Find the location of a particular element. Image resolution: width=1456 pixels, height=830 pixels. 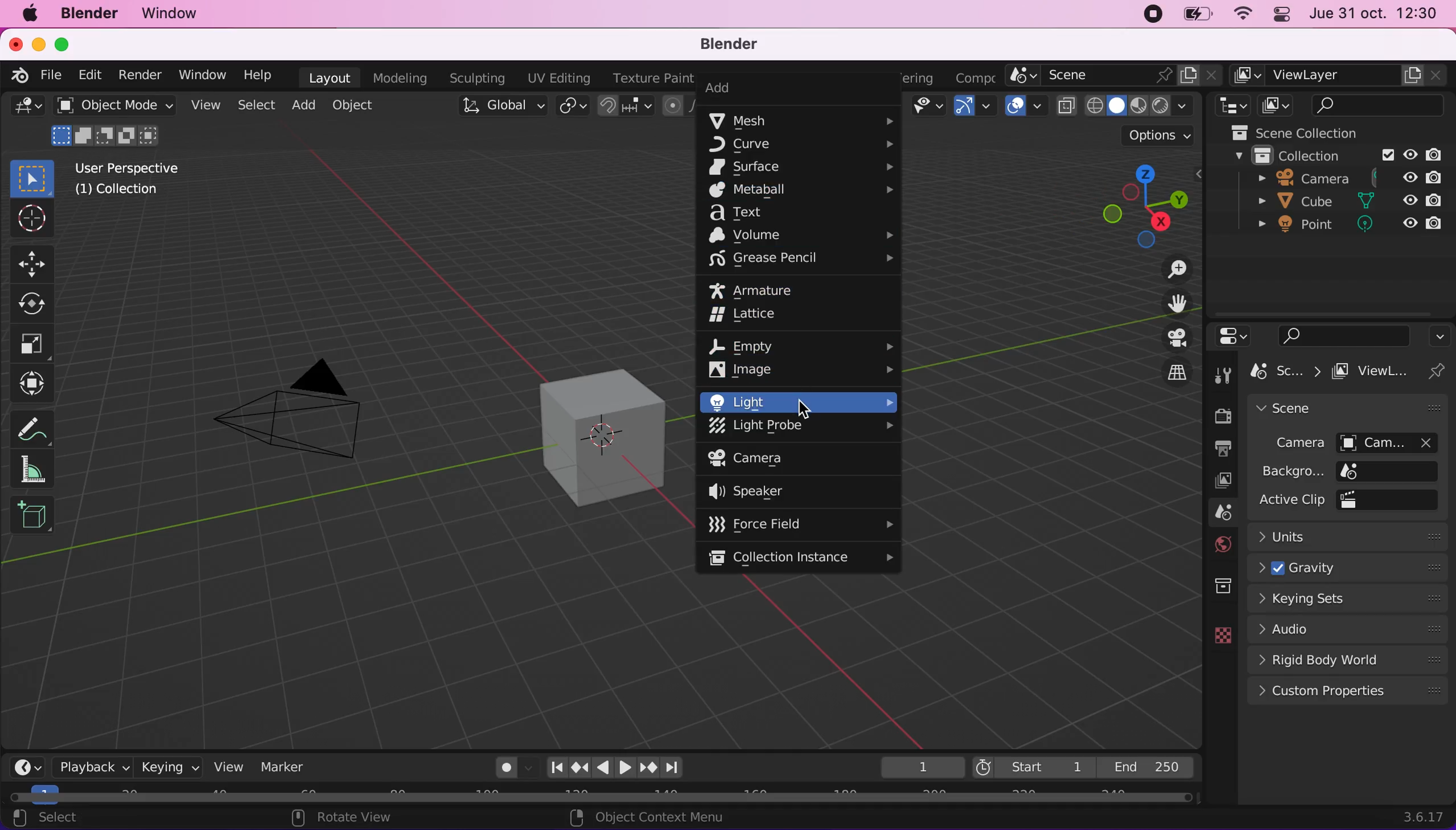

wifi is located at coordinates (1246, 14).